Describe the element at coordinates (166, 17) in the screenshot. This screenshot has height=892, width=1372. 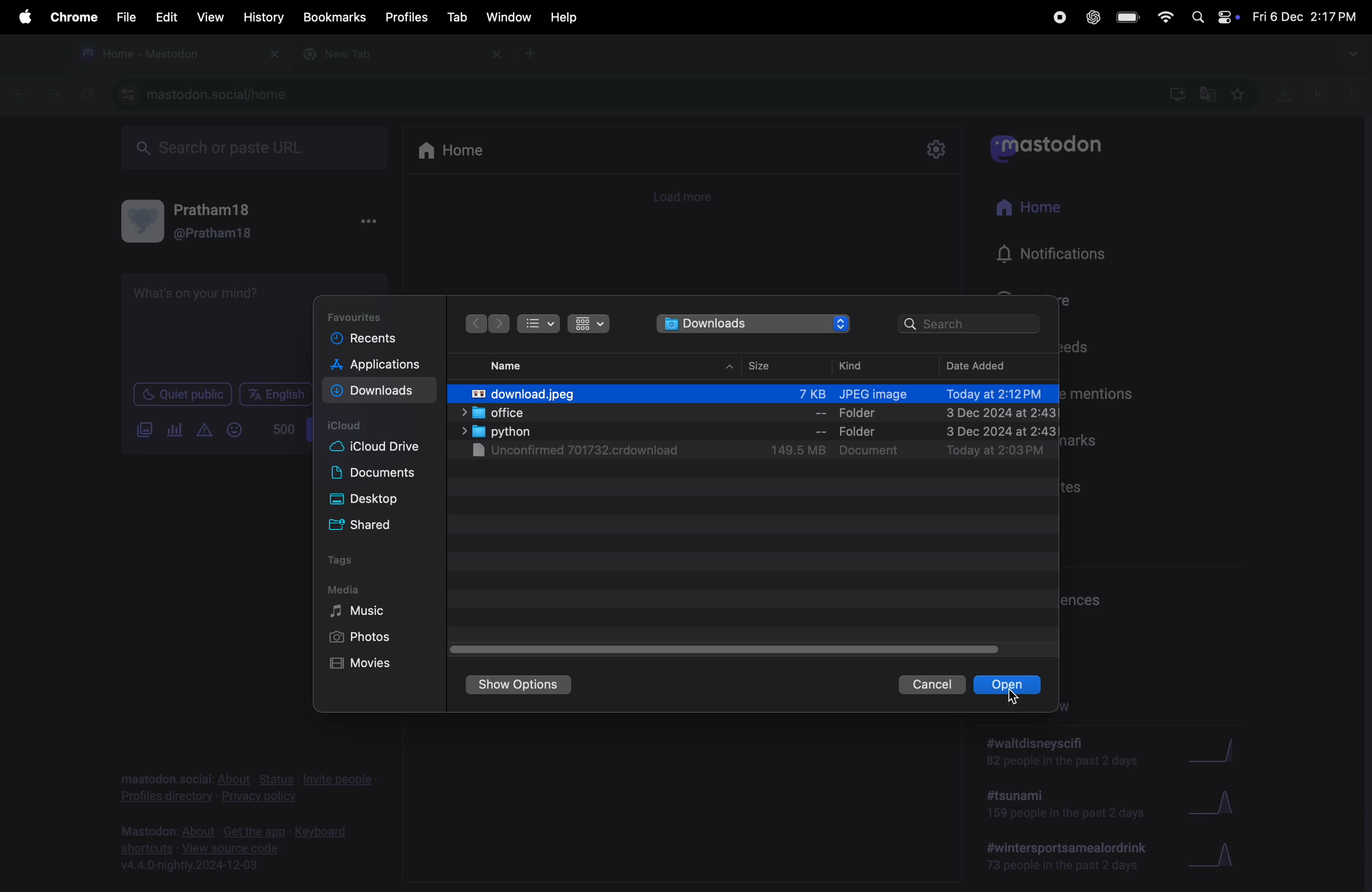
I see `edit` at that location.